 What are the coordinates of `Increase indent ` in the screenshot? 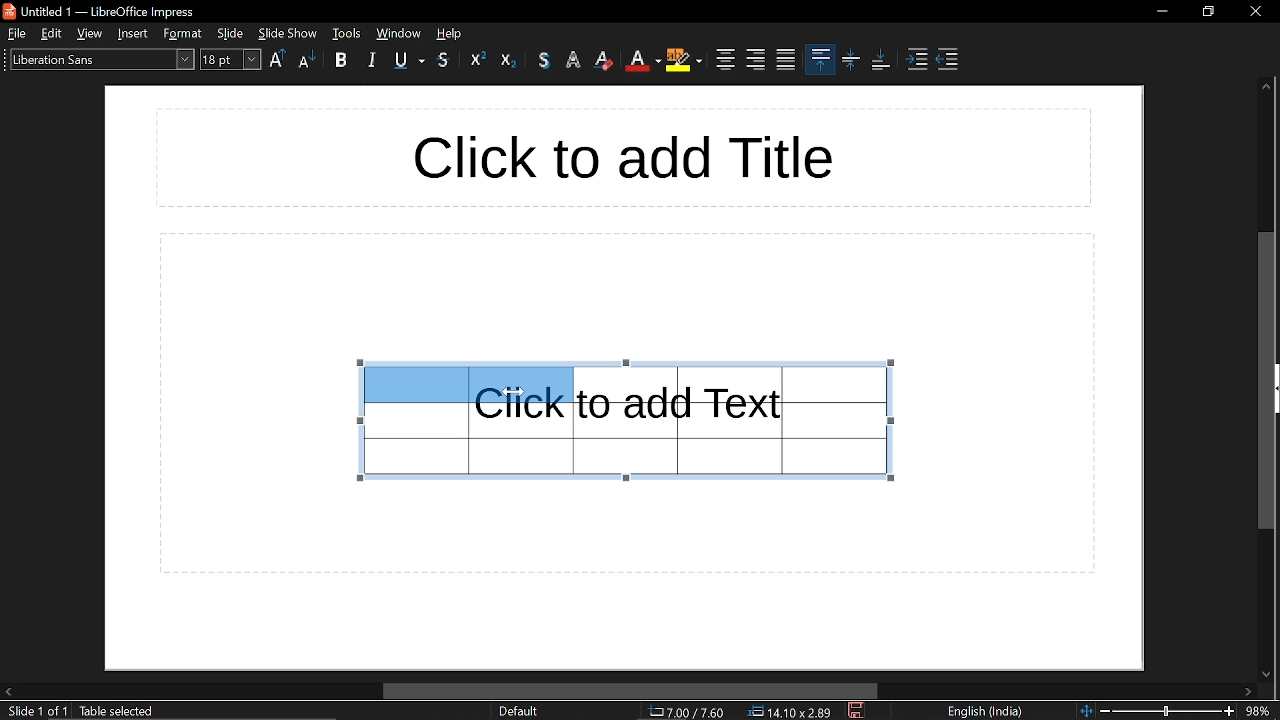 It's located at (919, 61).